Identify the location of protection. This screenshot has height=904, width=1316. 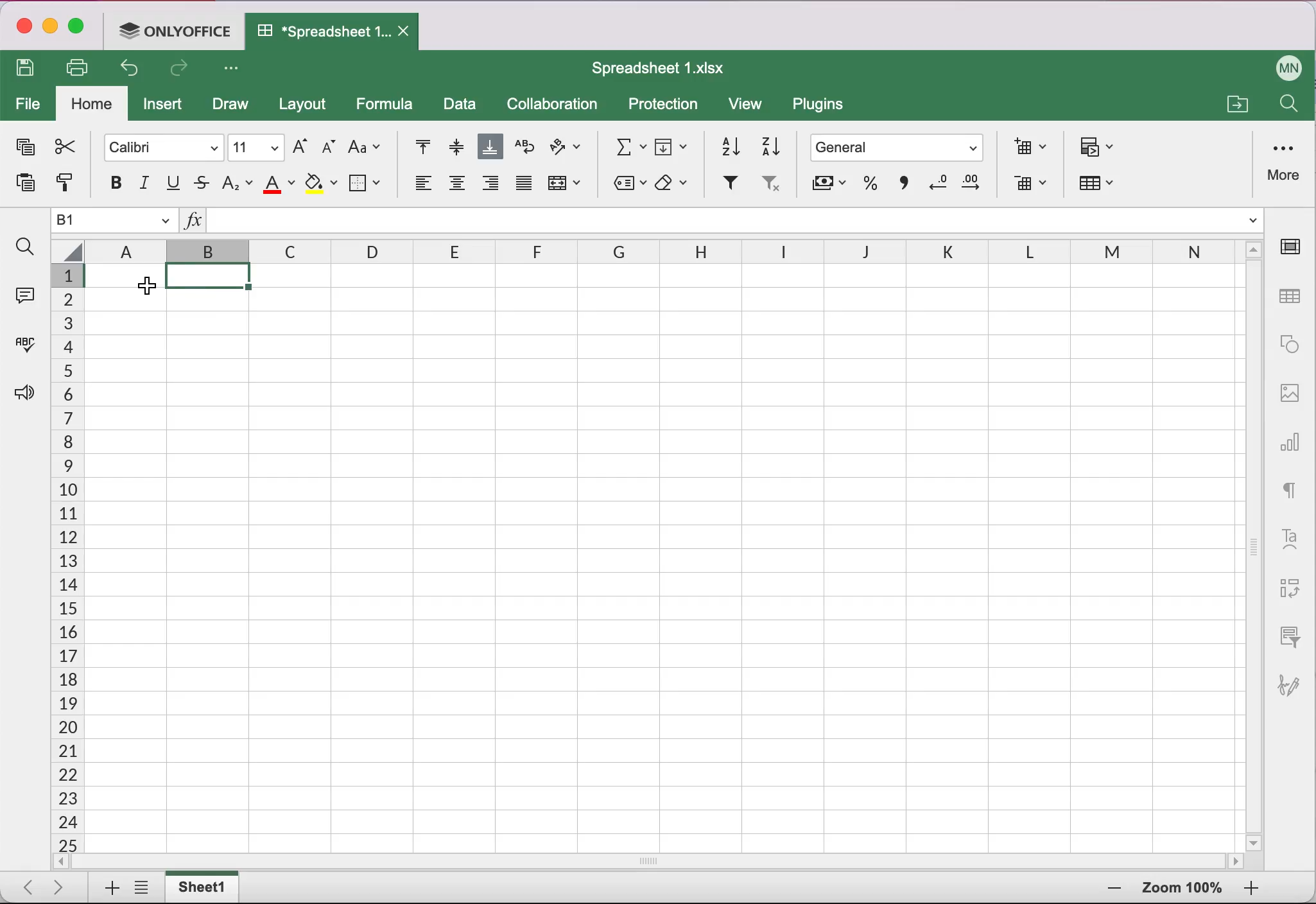
(664, 105).